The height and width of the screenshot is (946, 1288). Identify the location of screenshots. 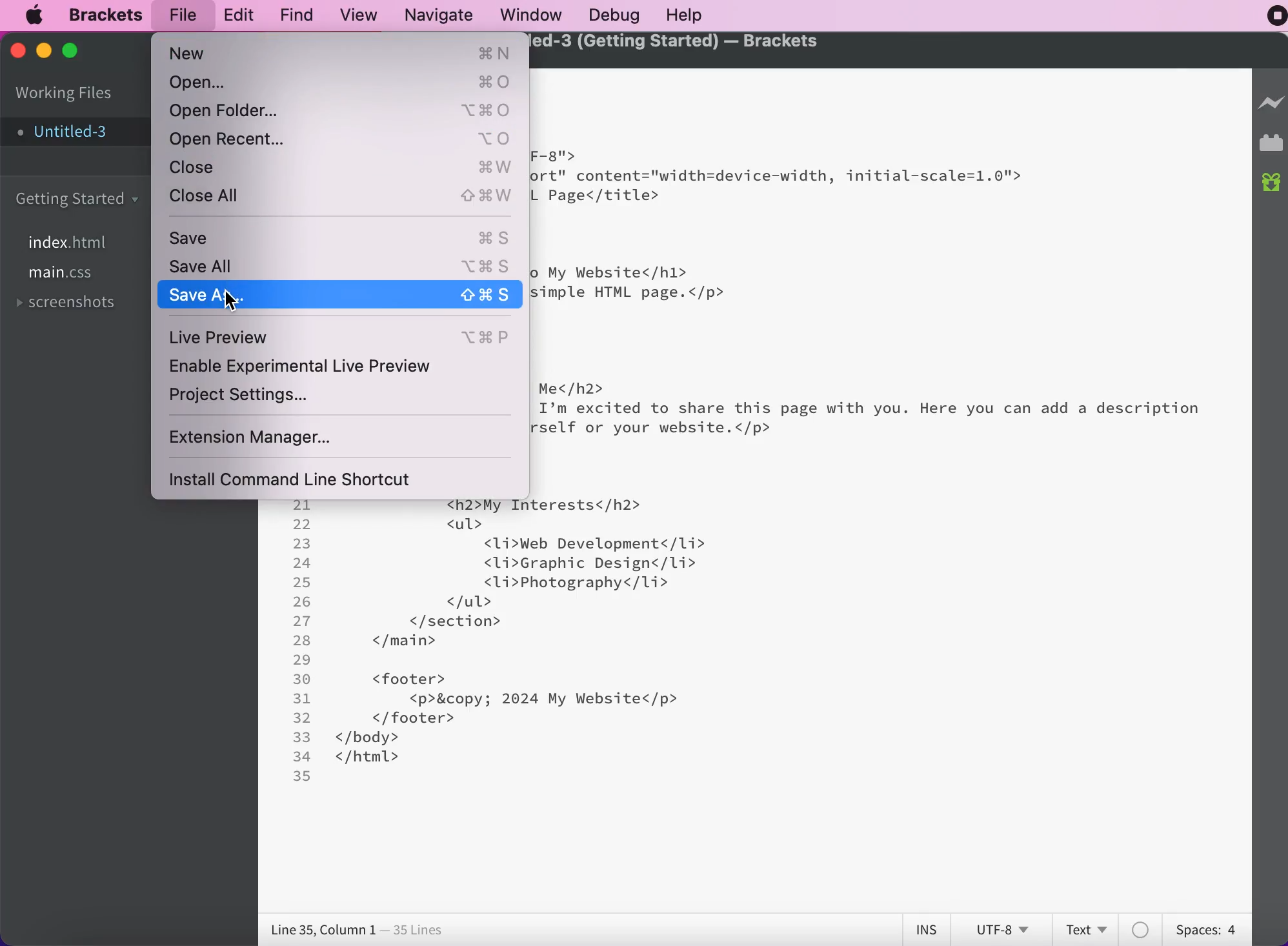
(72, 301).